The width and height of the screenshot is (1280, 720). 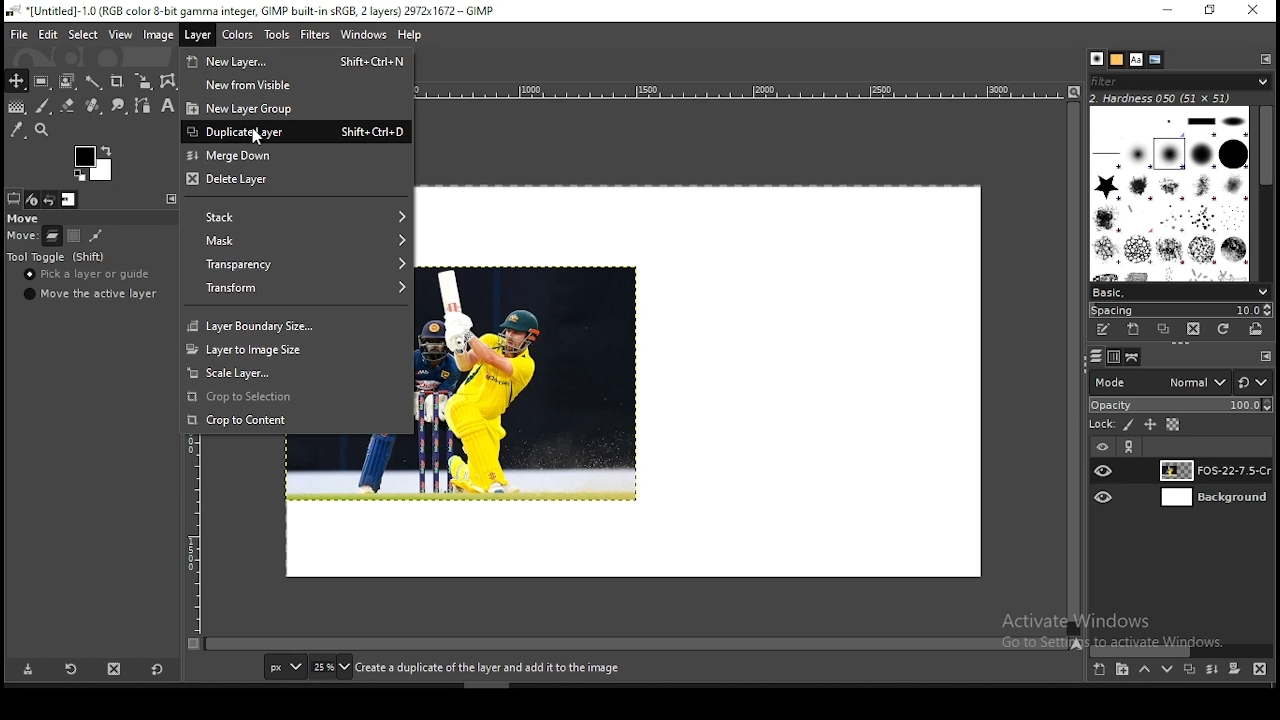 What do you see at coordinates (1112, 358) in the screenshot?
I see `channels` at bounding box center [1112, 358].